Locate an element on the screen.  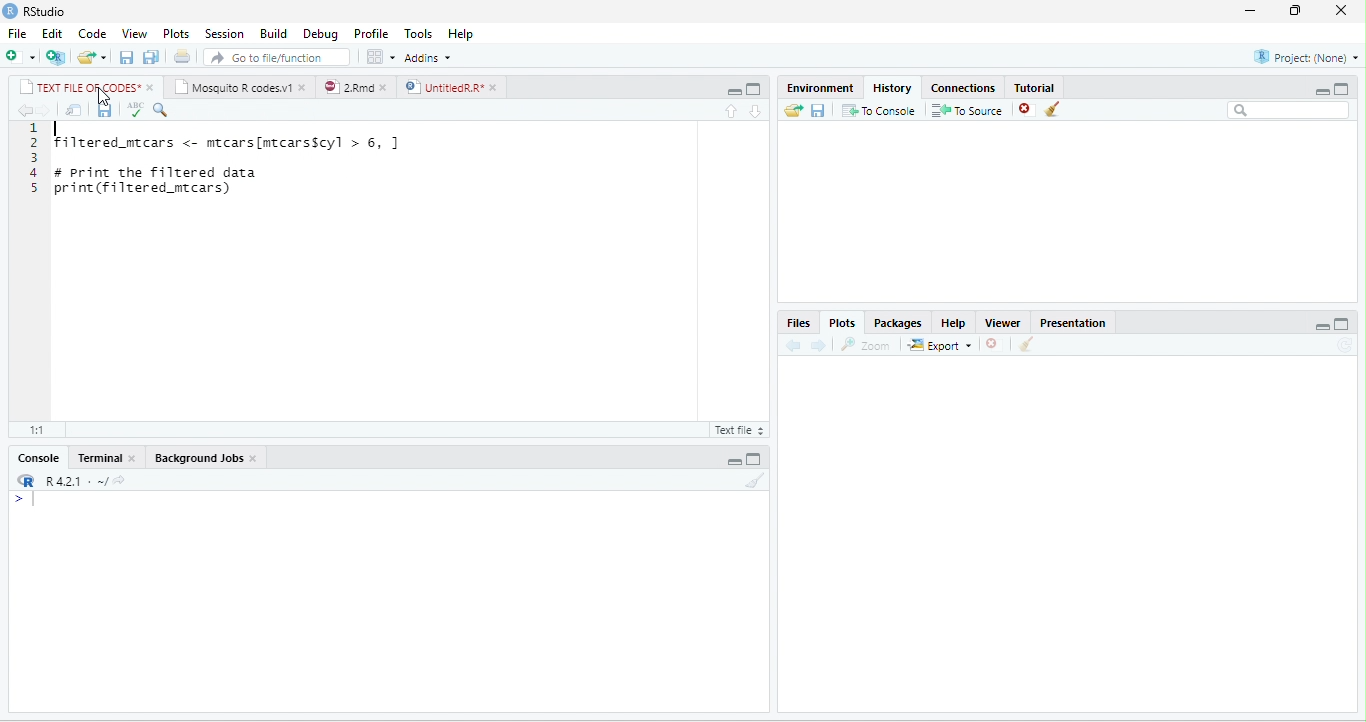
minimize is located at coordinates (1322, 326).